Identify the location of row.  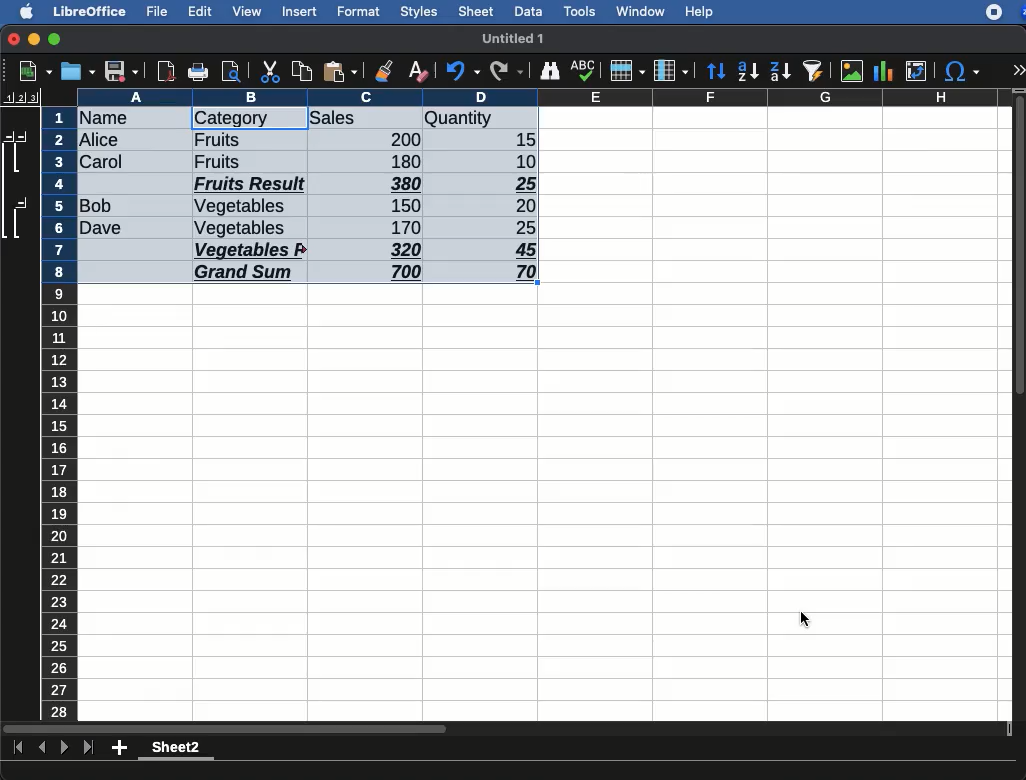
(626, 71).